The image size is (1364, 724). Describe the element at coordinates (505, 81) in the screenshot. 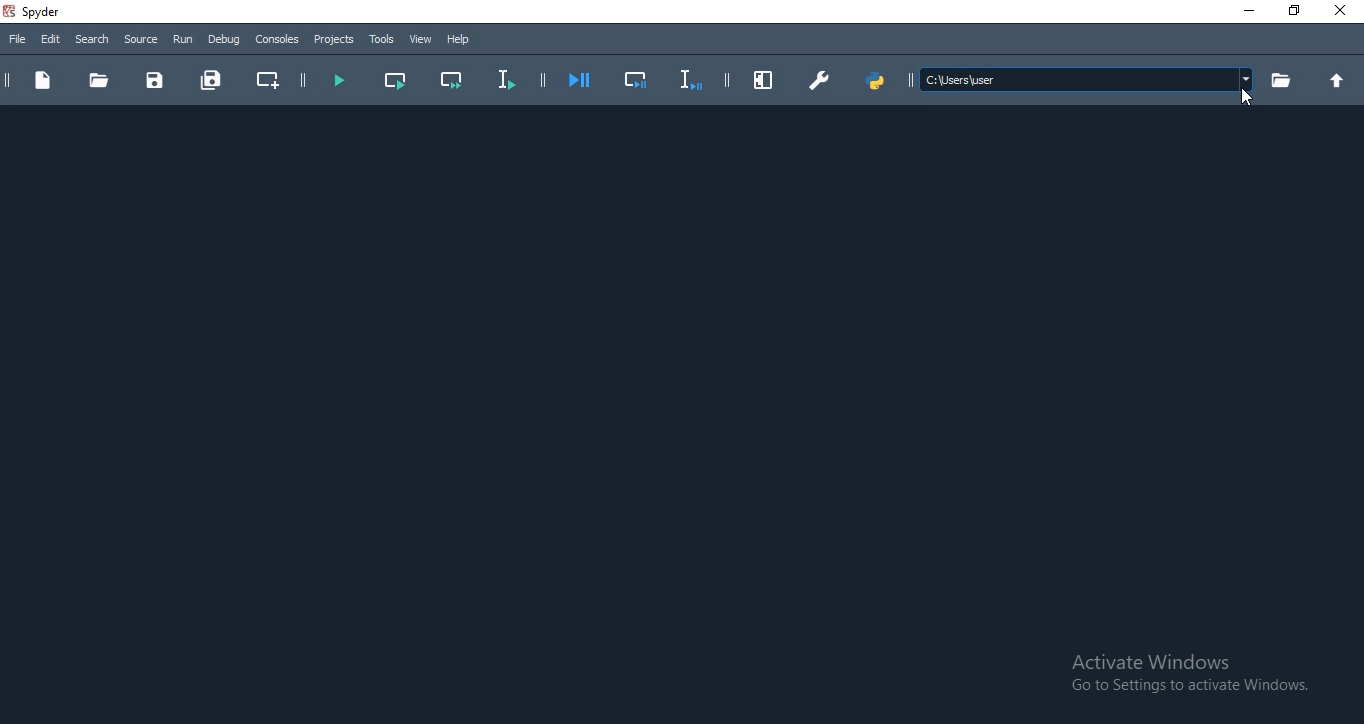

I see `run selection` at that location.